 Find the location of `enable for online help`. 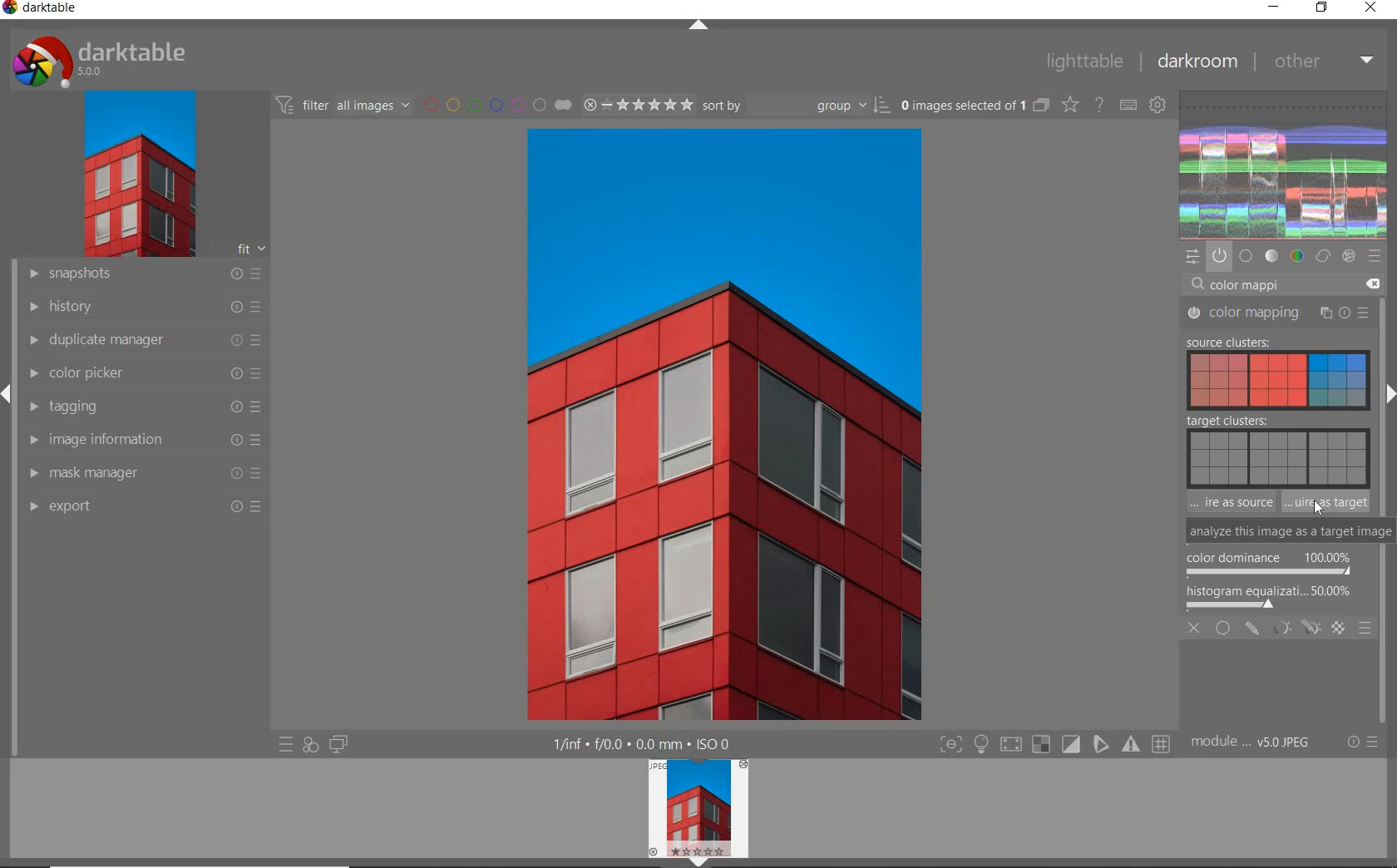

enable for online help is located at coordinates (1099, 104).